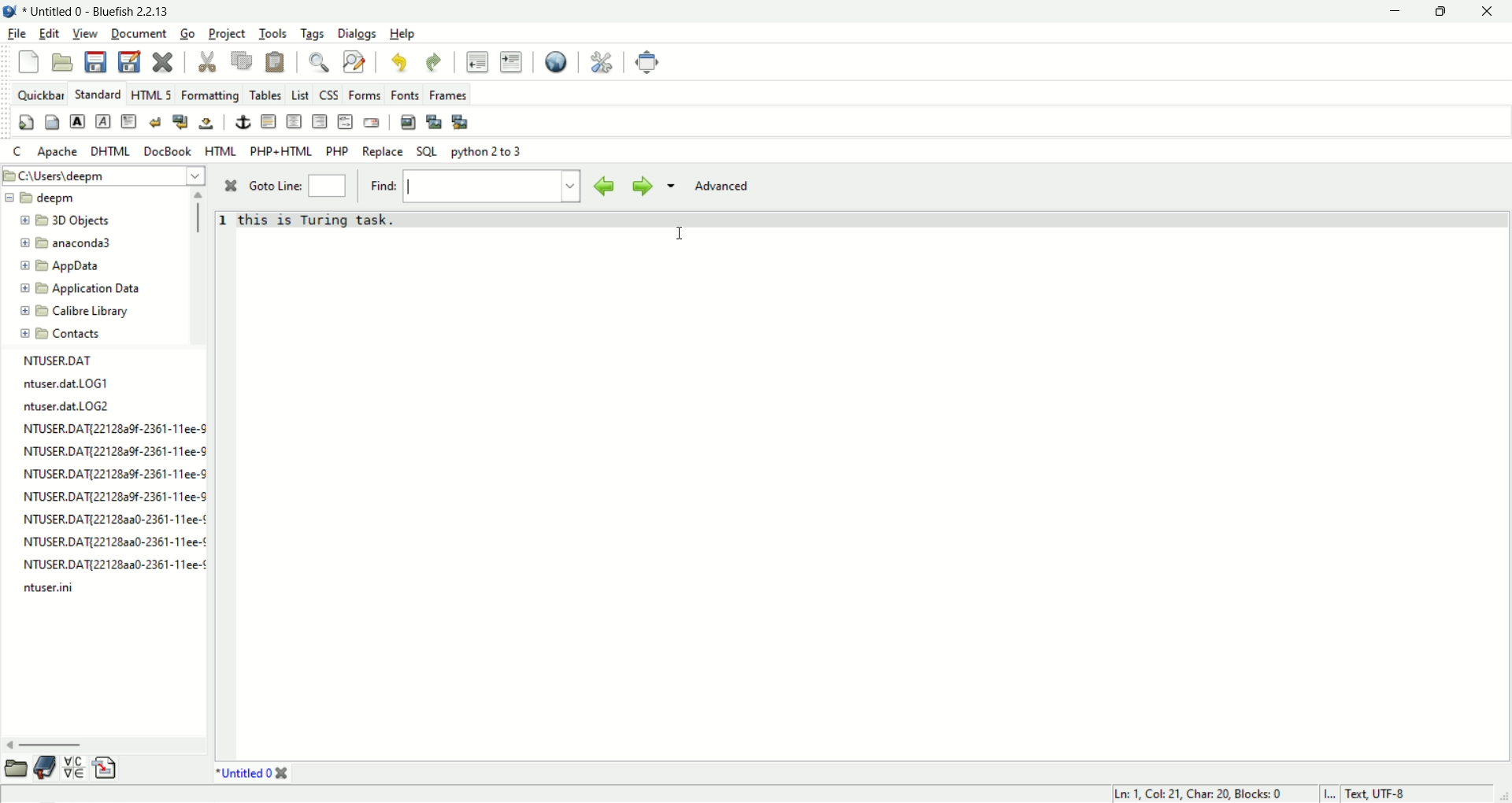 The height and width of the screenshot is (803, 1512). What do you see at coordinates (109, 151) in the screenshot?
I see `DHTML` at bounding box center [109, 151].